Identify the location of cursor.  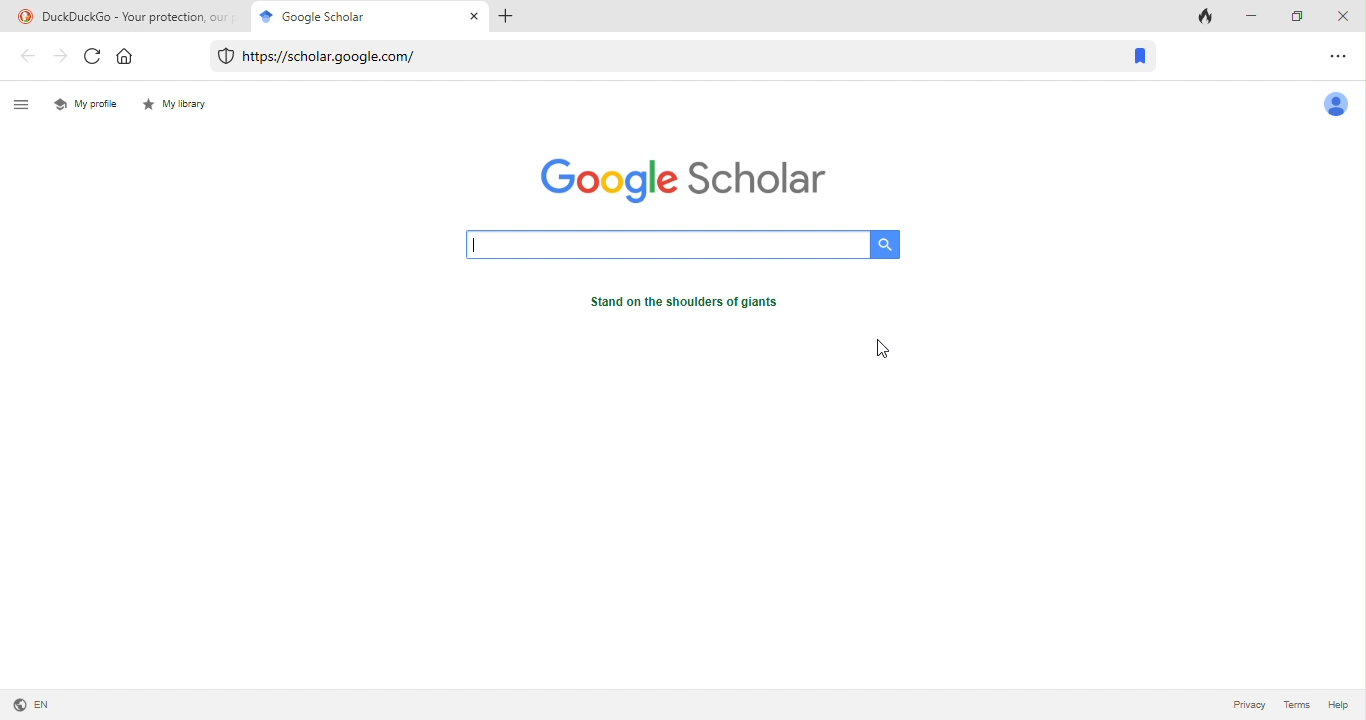
(879, 349).